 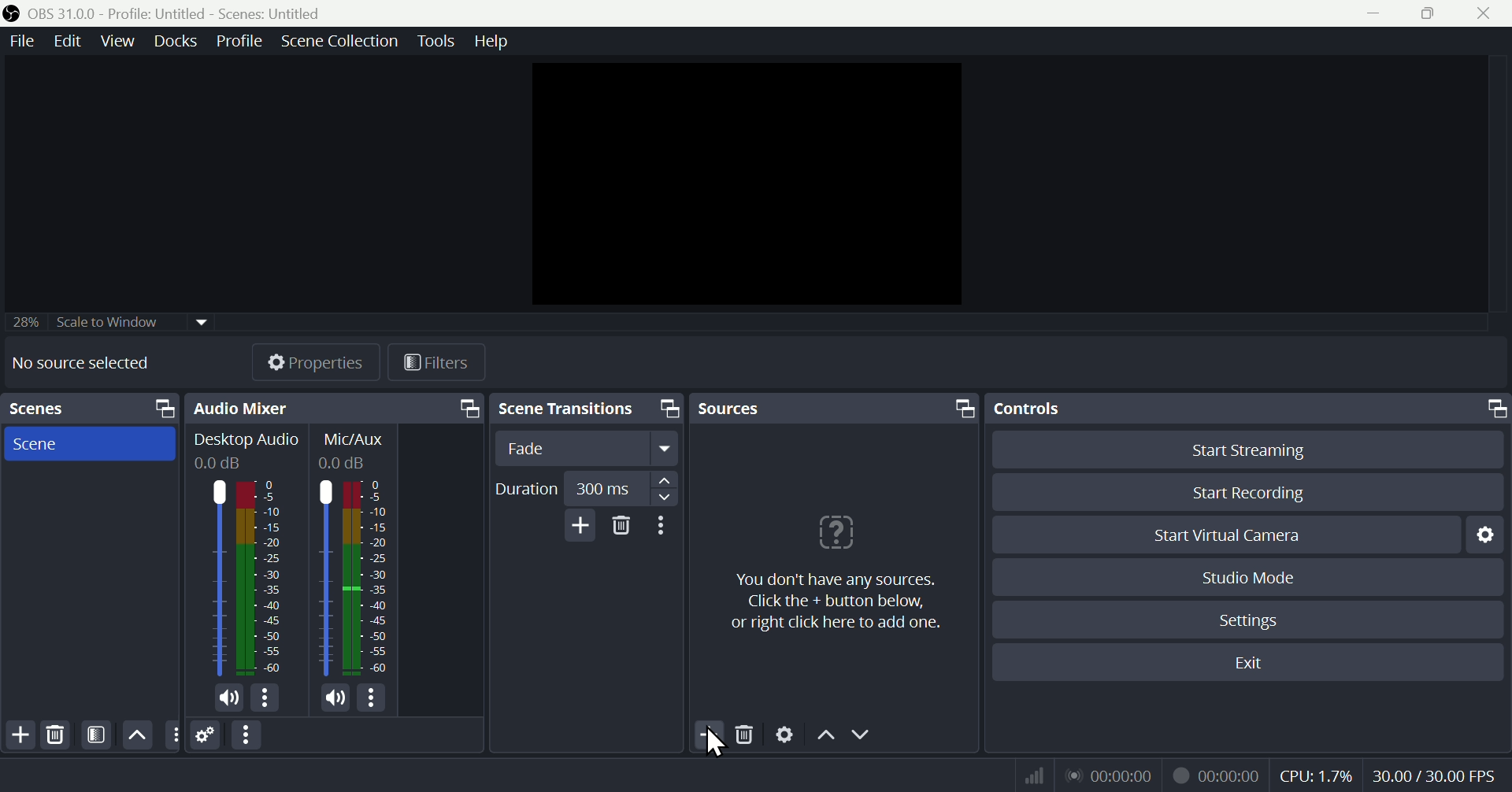 What do you see at coordinates (20, 42) in the screenshot?
I see `File` at bounding box center [20, 42].